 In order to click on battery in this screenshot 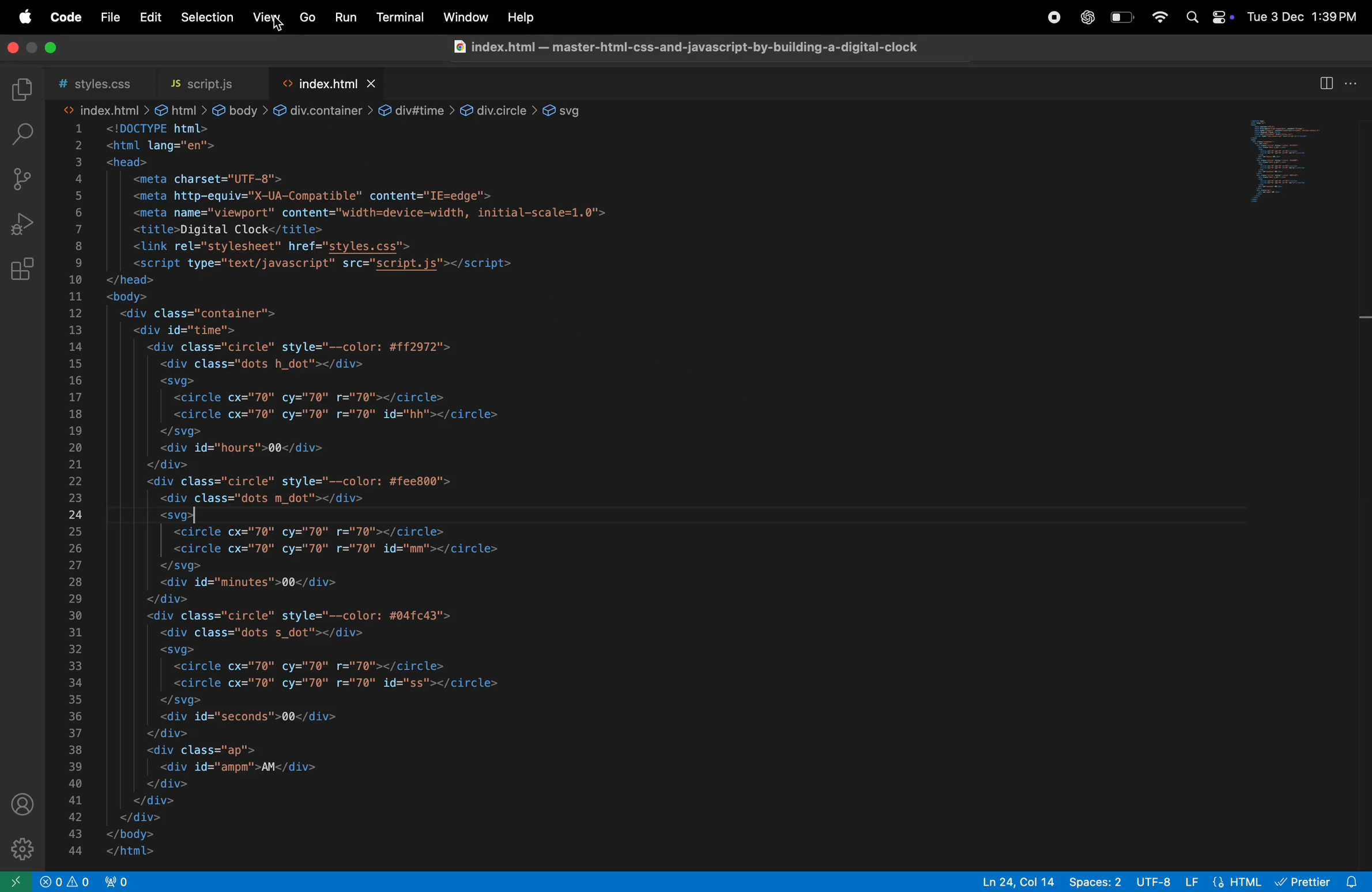, I will do `click(1123, 19)`.